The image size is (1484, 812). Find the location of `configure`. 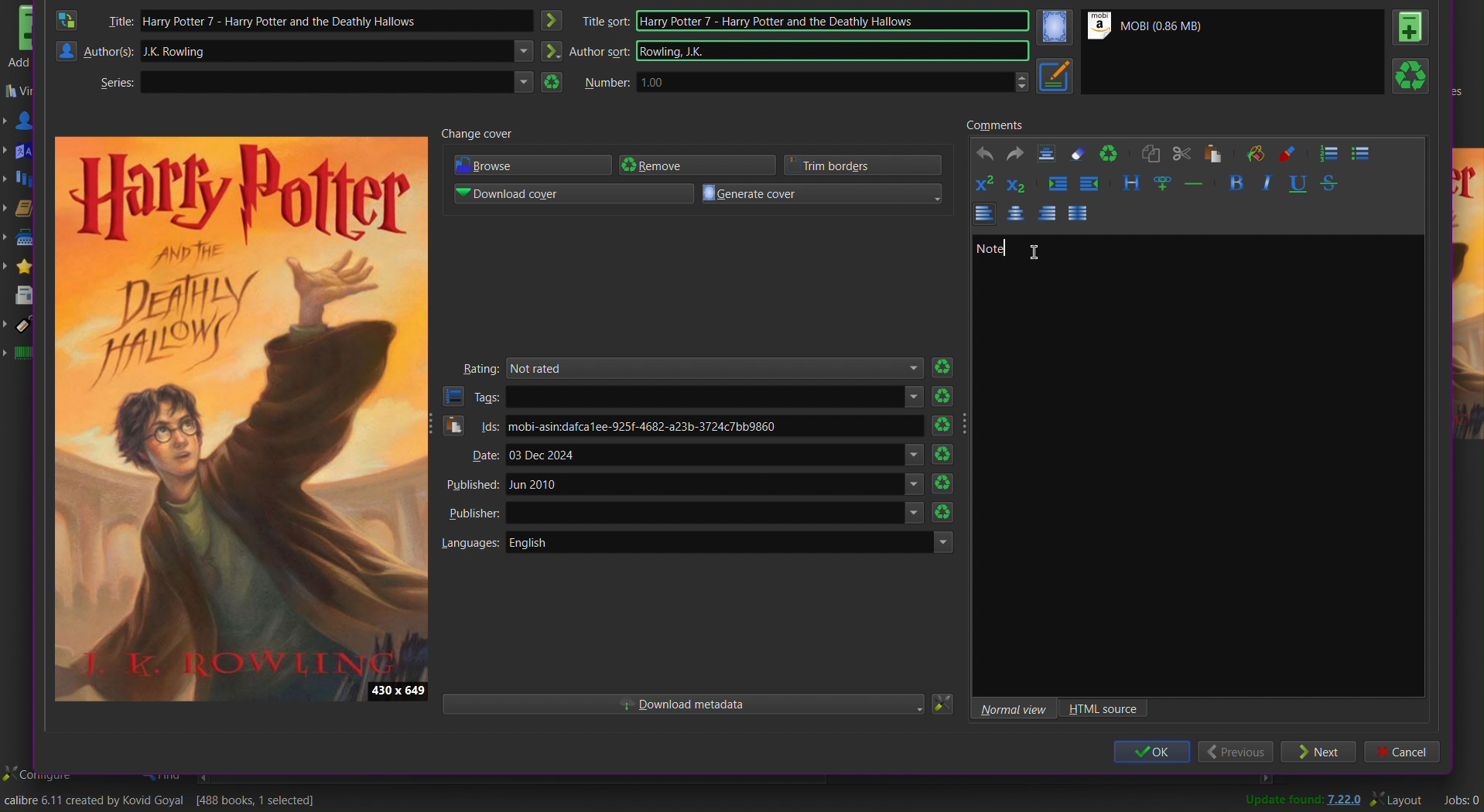

configure is located at coordinates (42, 776).